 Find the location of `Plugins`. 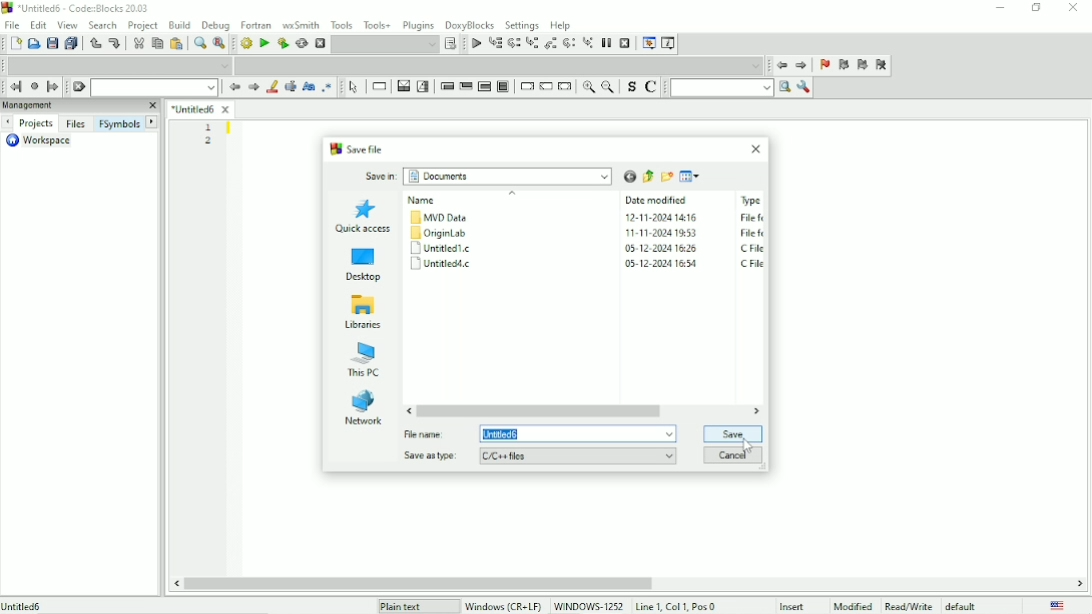

Plugins is located at coordinates (417, 25).